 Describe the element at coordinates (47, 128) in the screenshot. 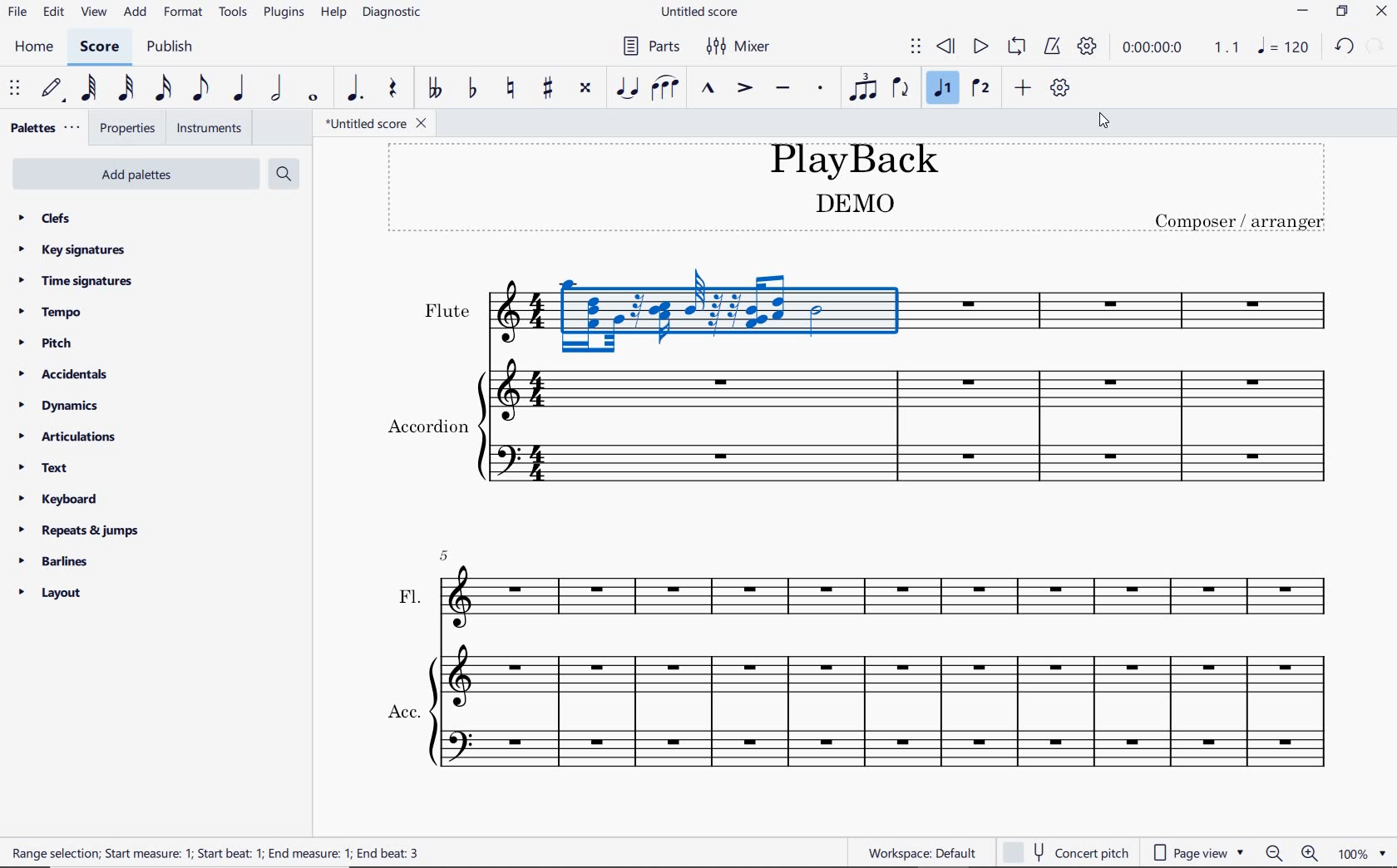

I see `palettes` at that location.